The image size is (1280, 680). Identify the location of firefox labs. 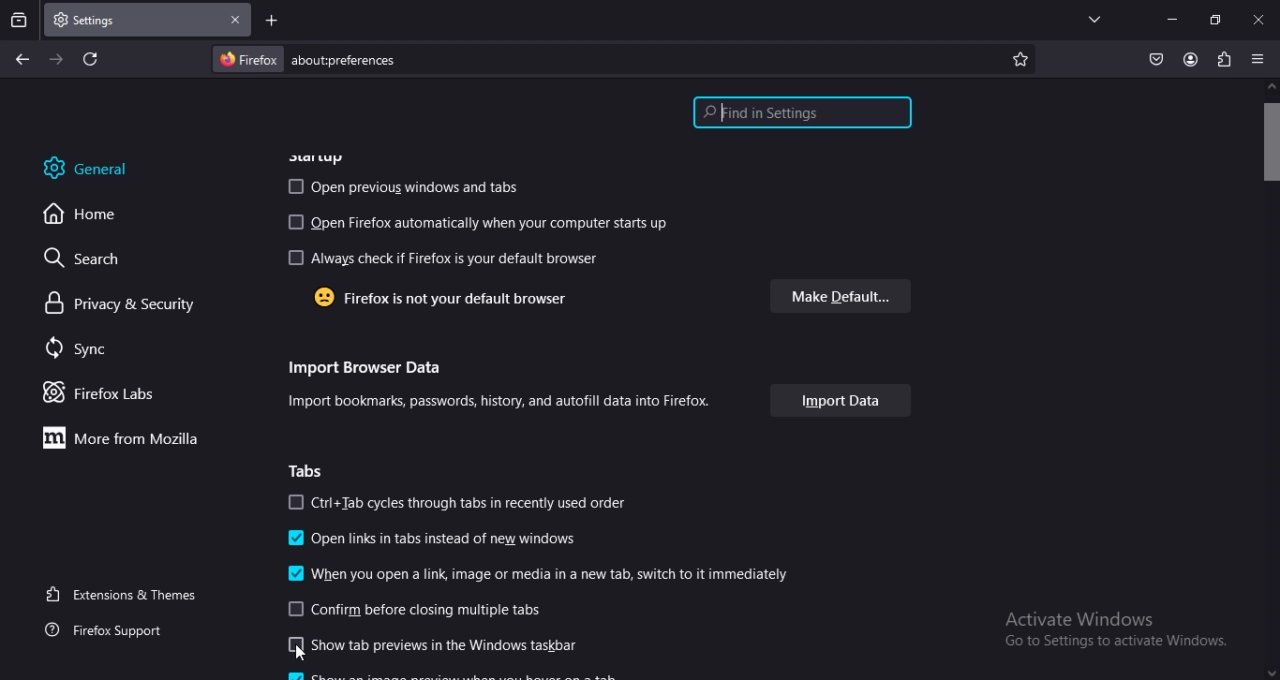
(101, 393).